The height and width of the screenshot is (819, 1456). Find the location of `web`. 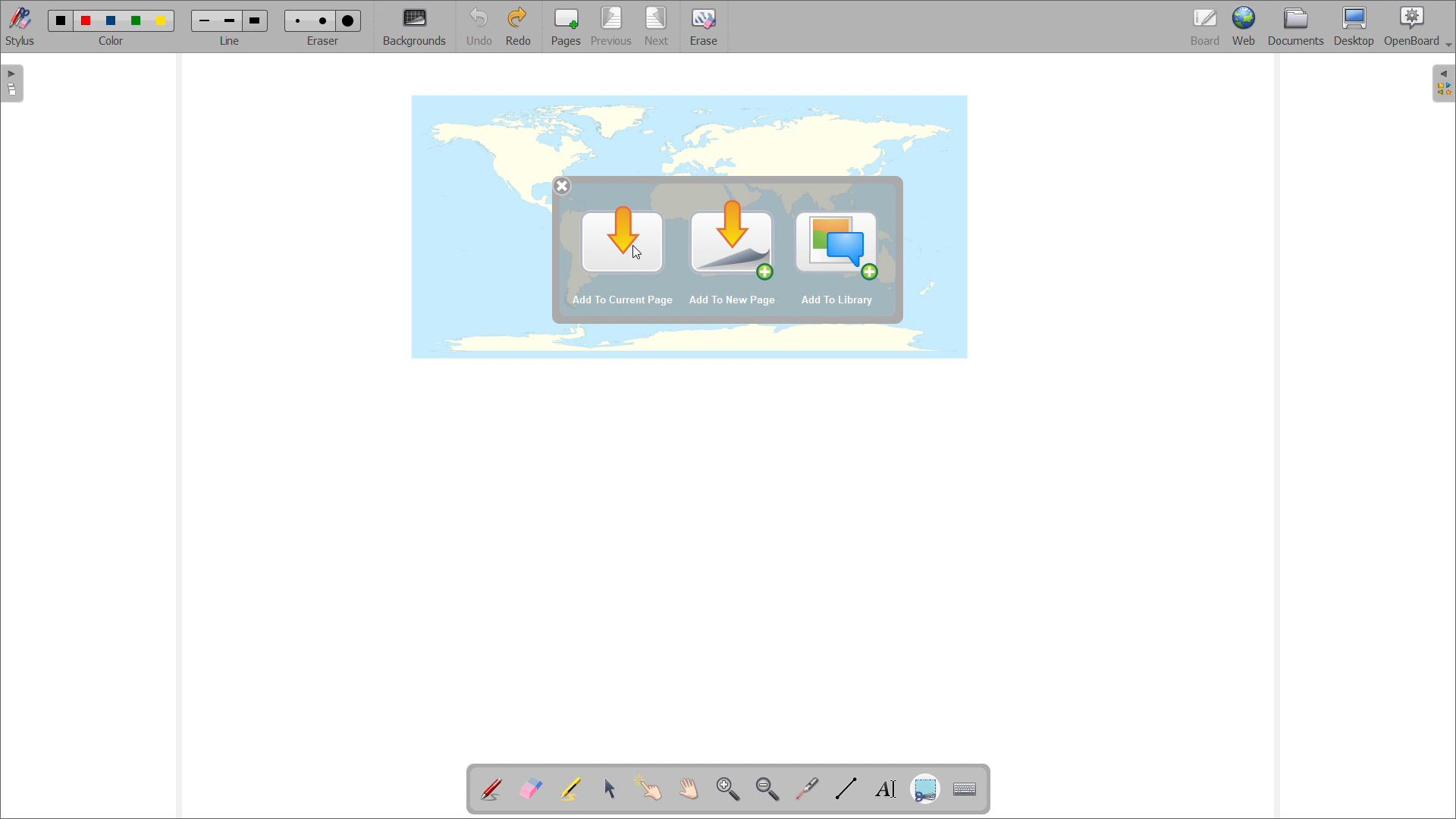

web is located at coordinates (1245, 27).